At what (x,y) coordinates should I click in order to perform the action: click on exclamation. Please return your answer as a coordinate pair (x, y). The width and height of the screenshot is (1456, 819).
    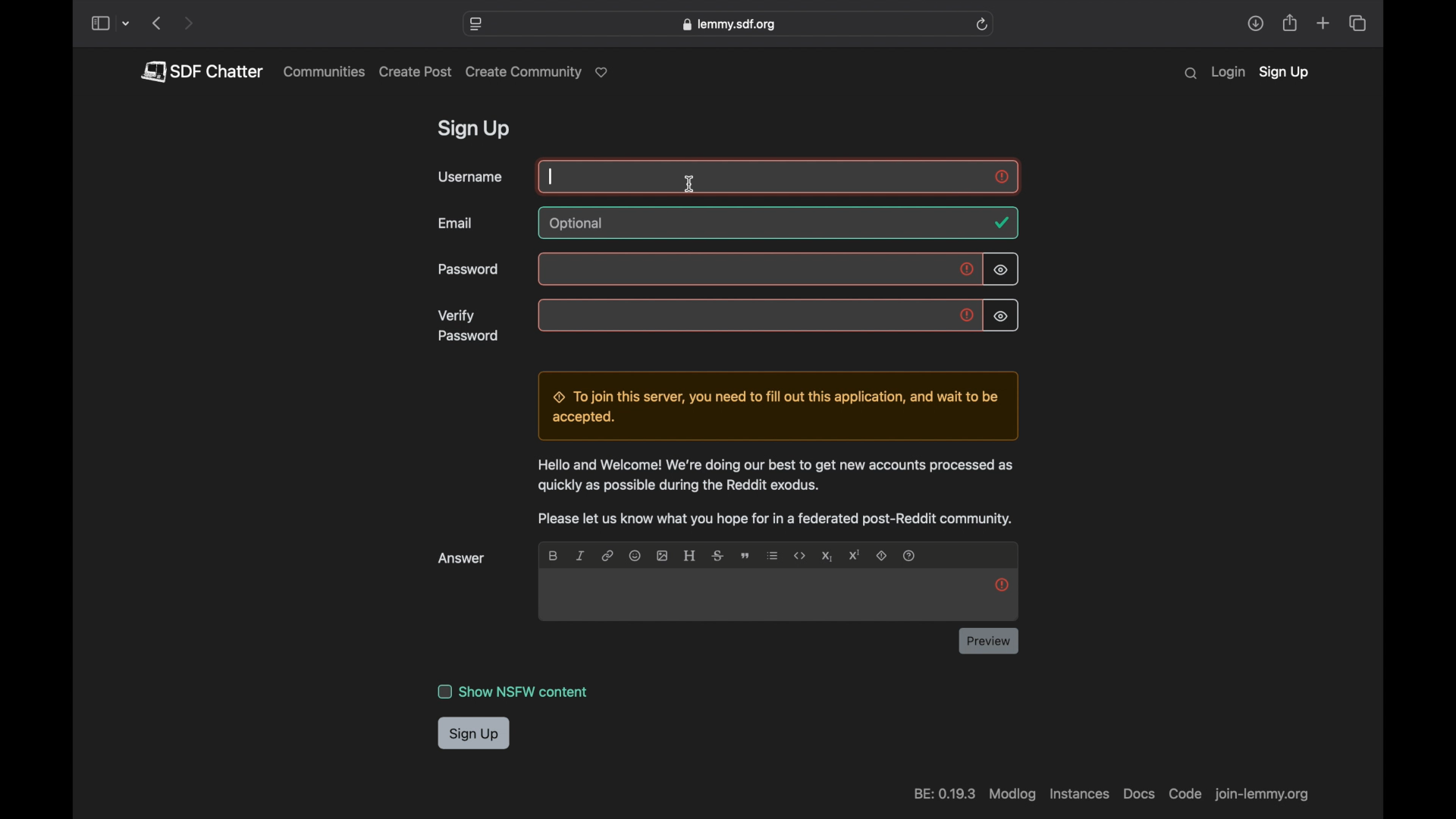
    Looking at the image, I should click on (968, 316).